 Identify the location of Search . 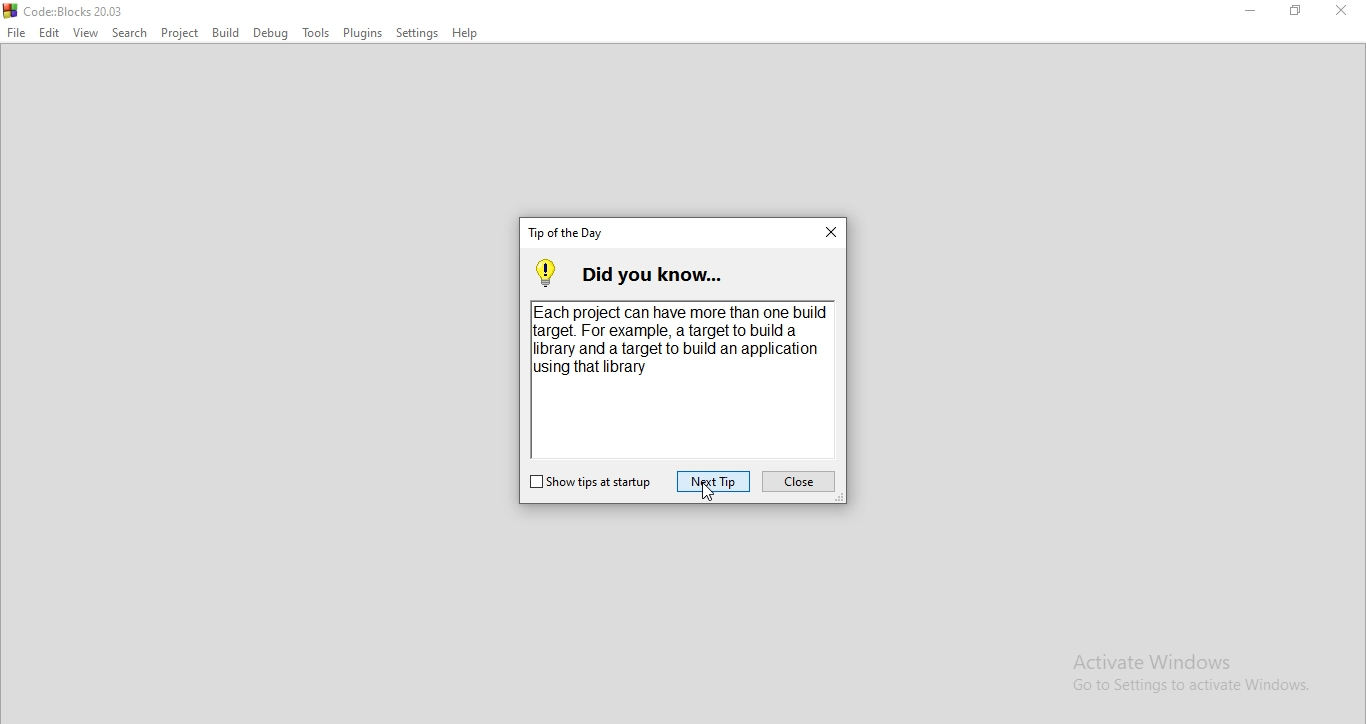
(129, 32).